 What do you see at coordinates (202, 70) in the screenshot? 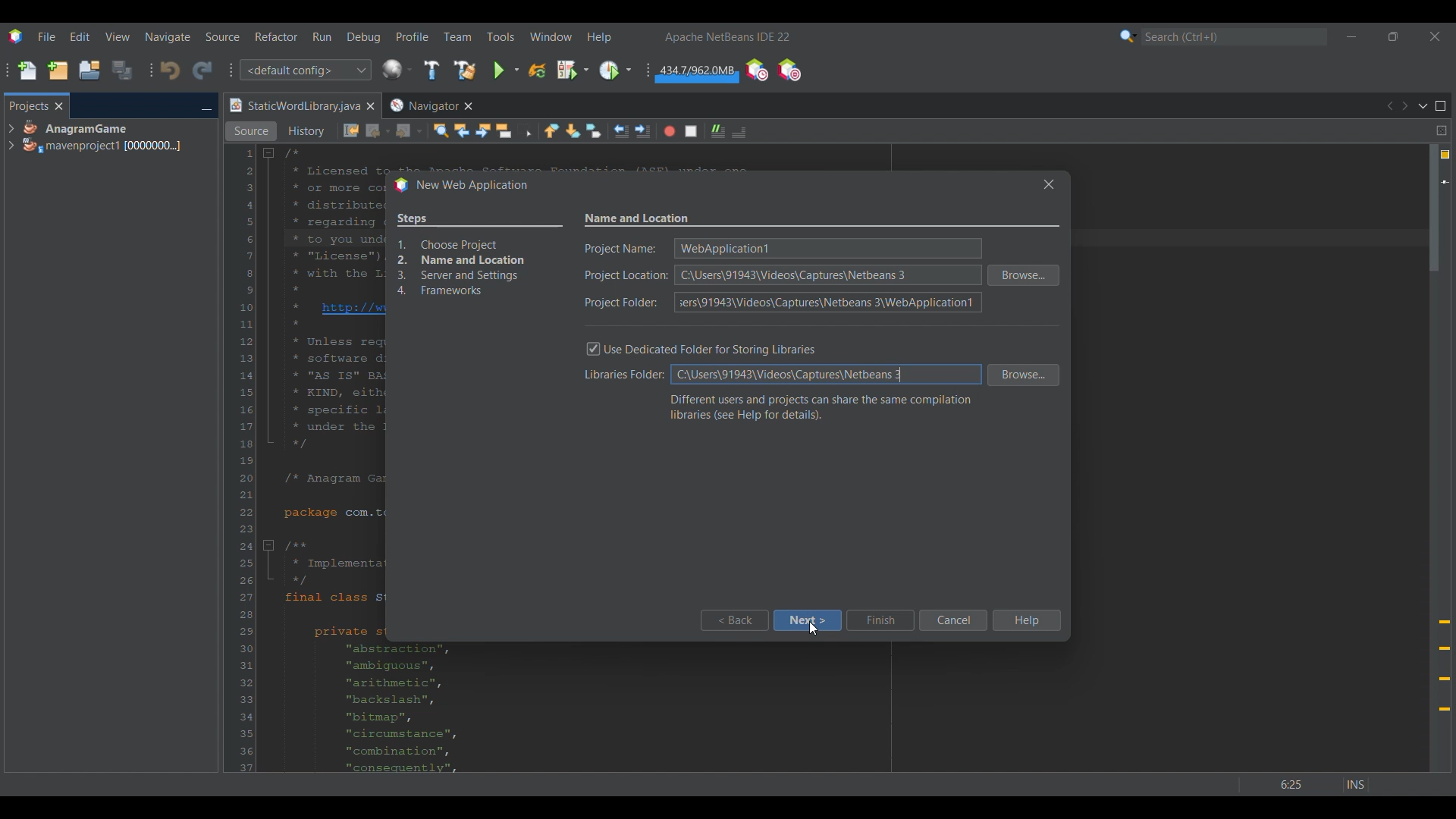
I see `Redo` at bounding box center [202, 70].